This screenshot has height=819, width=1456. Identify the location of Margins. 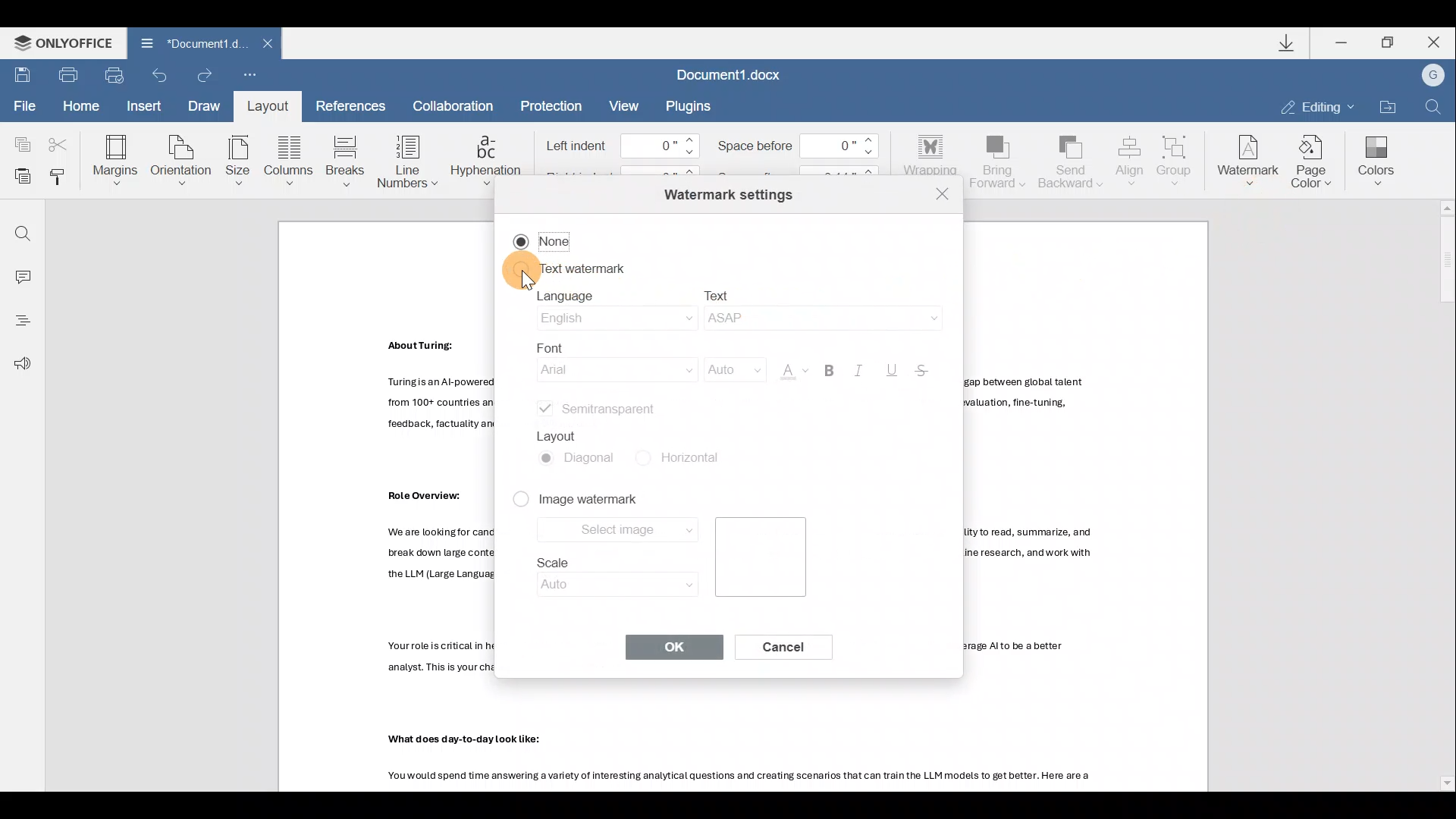
(118, 157).